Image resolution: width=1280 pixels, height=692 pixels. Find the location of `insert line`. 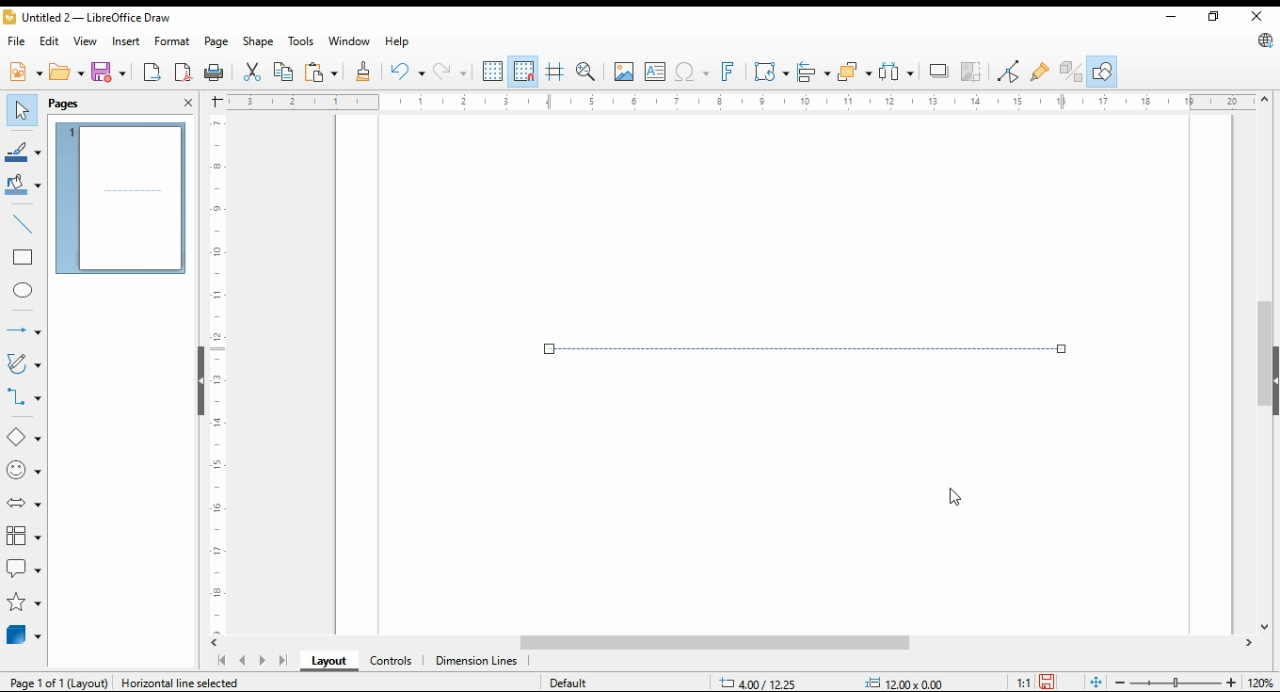

insert line is located at coordinates (24, 224).